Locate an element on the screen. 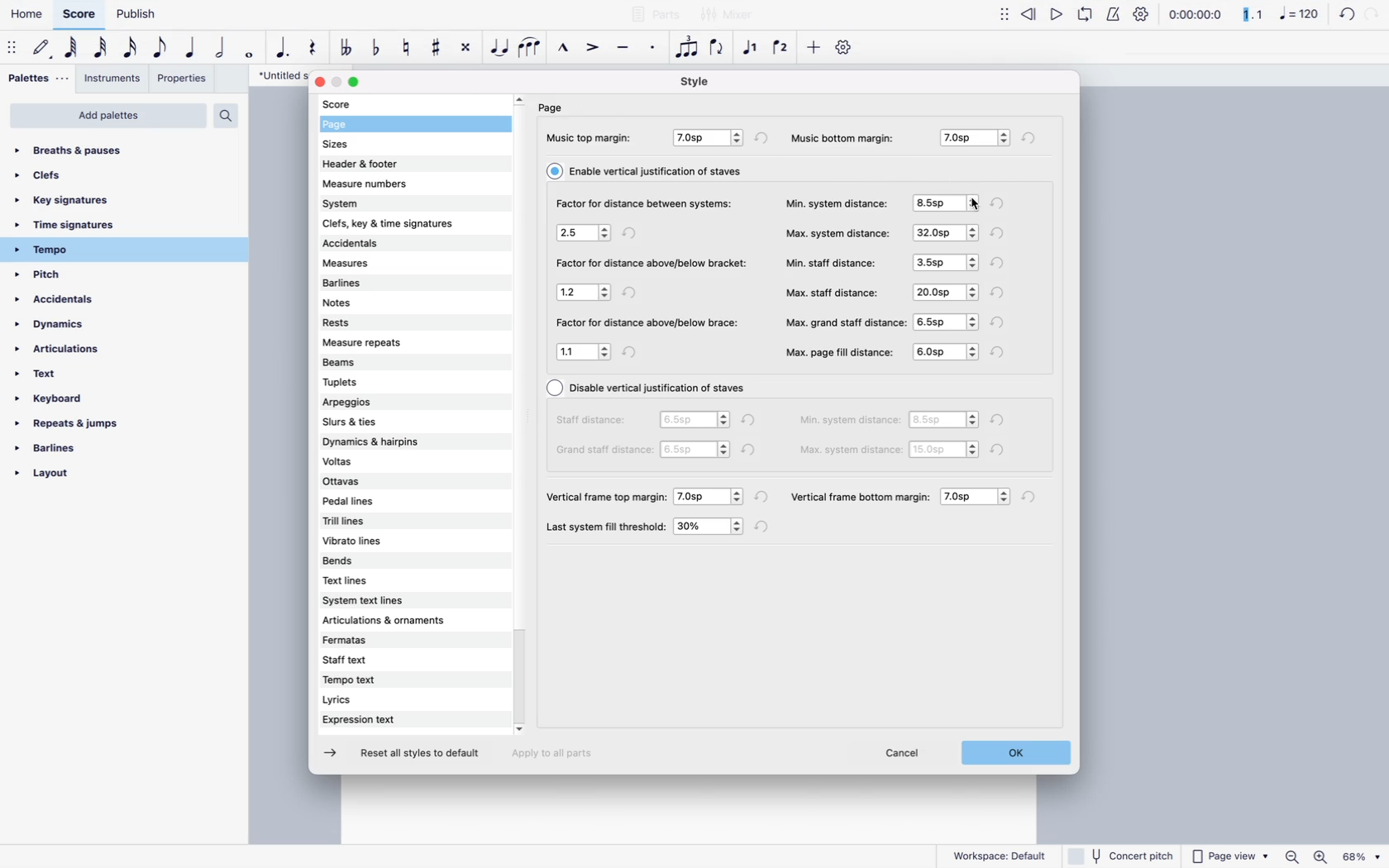 The image size is (1389, 868). full note is located at coordinates (251, 51).